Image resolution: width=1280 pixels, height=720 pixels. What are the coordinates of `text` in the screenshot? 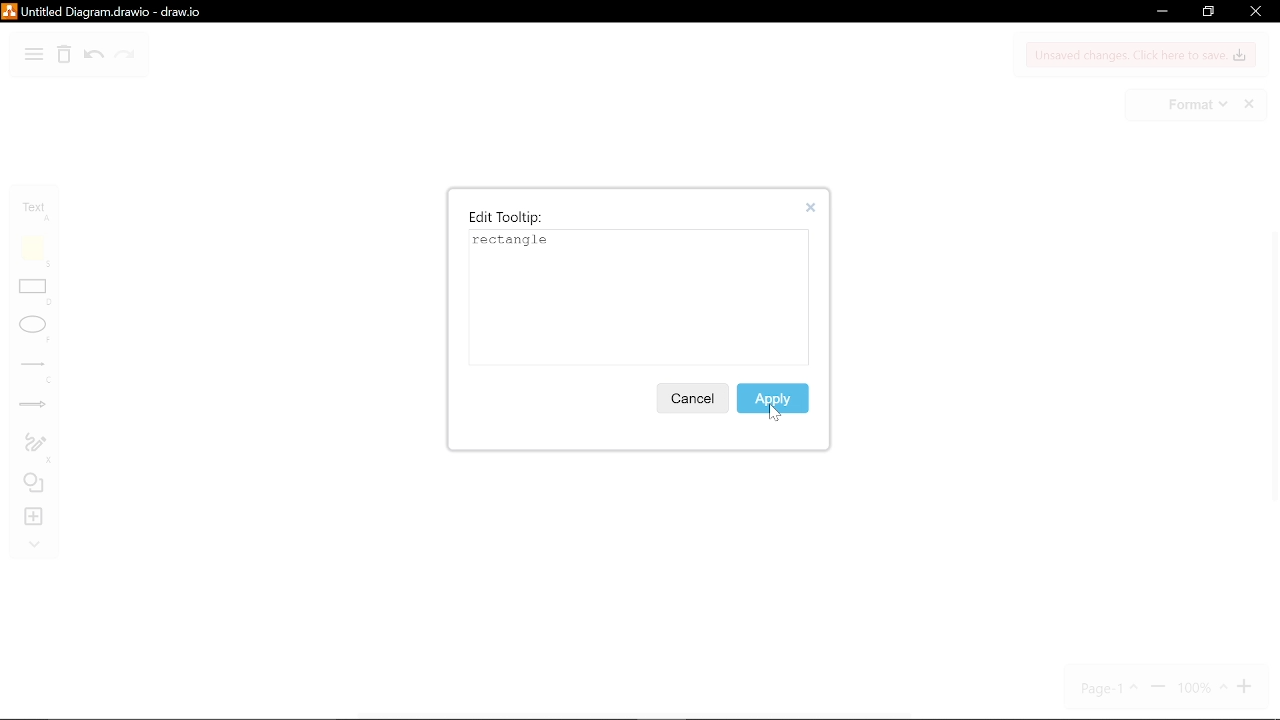 It's located at (38, 211).